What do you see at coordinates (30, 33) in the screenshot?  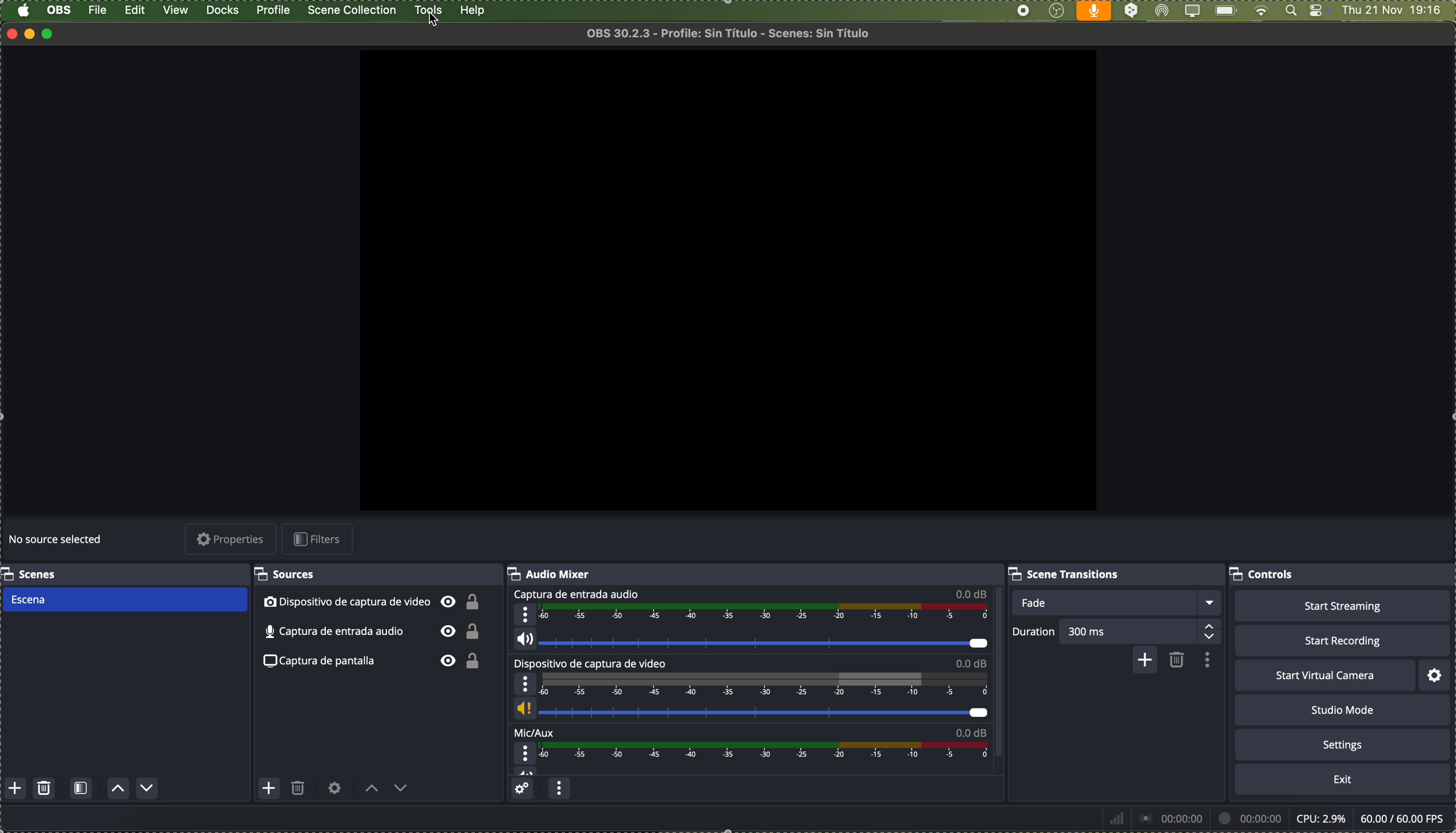 I see `minimize program` at bounding box center [30, 33].